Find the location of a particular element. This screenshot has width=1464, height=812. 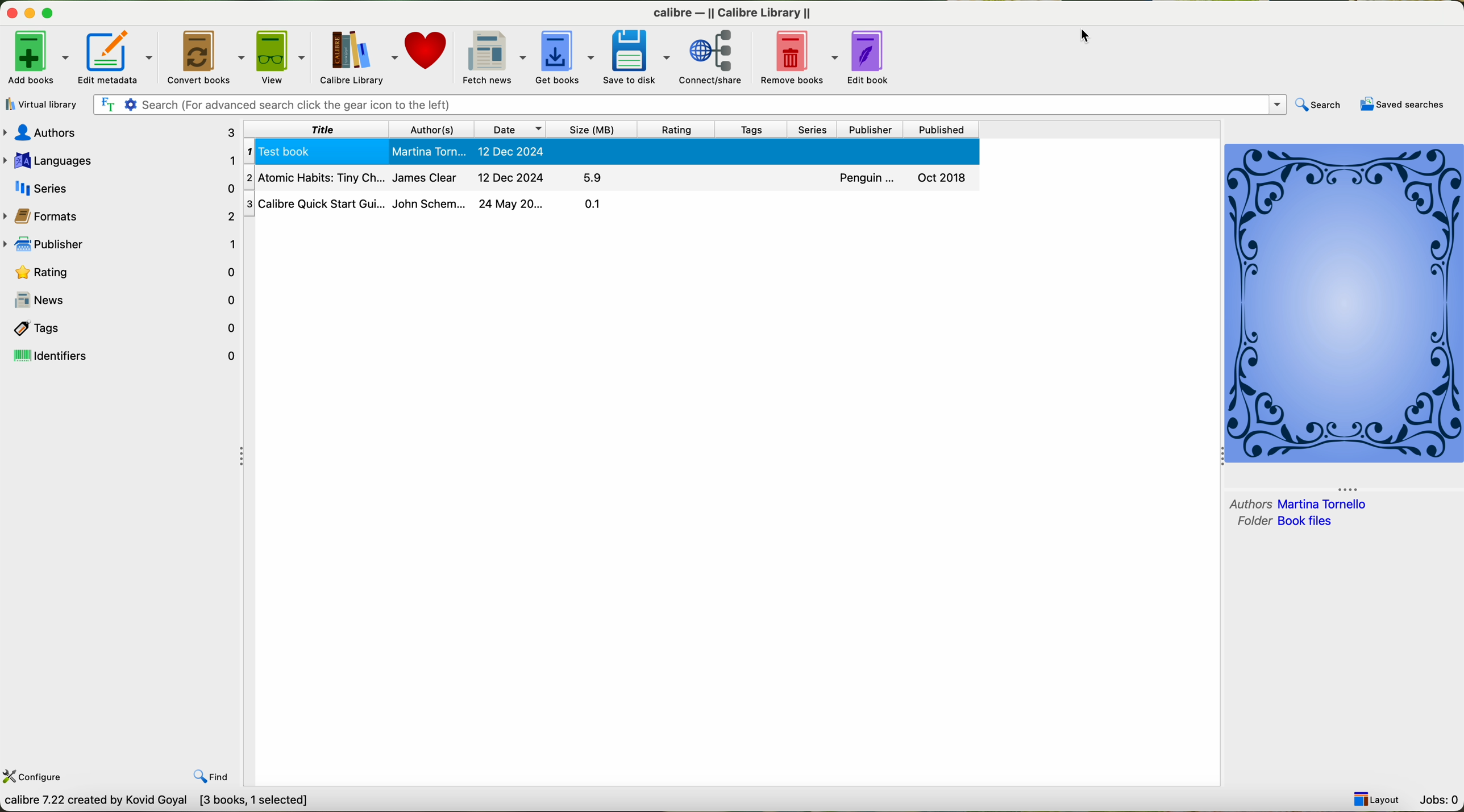

size is located at coordinates (593, 130).